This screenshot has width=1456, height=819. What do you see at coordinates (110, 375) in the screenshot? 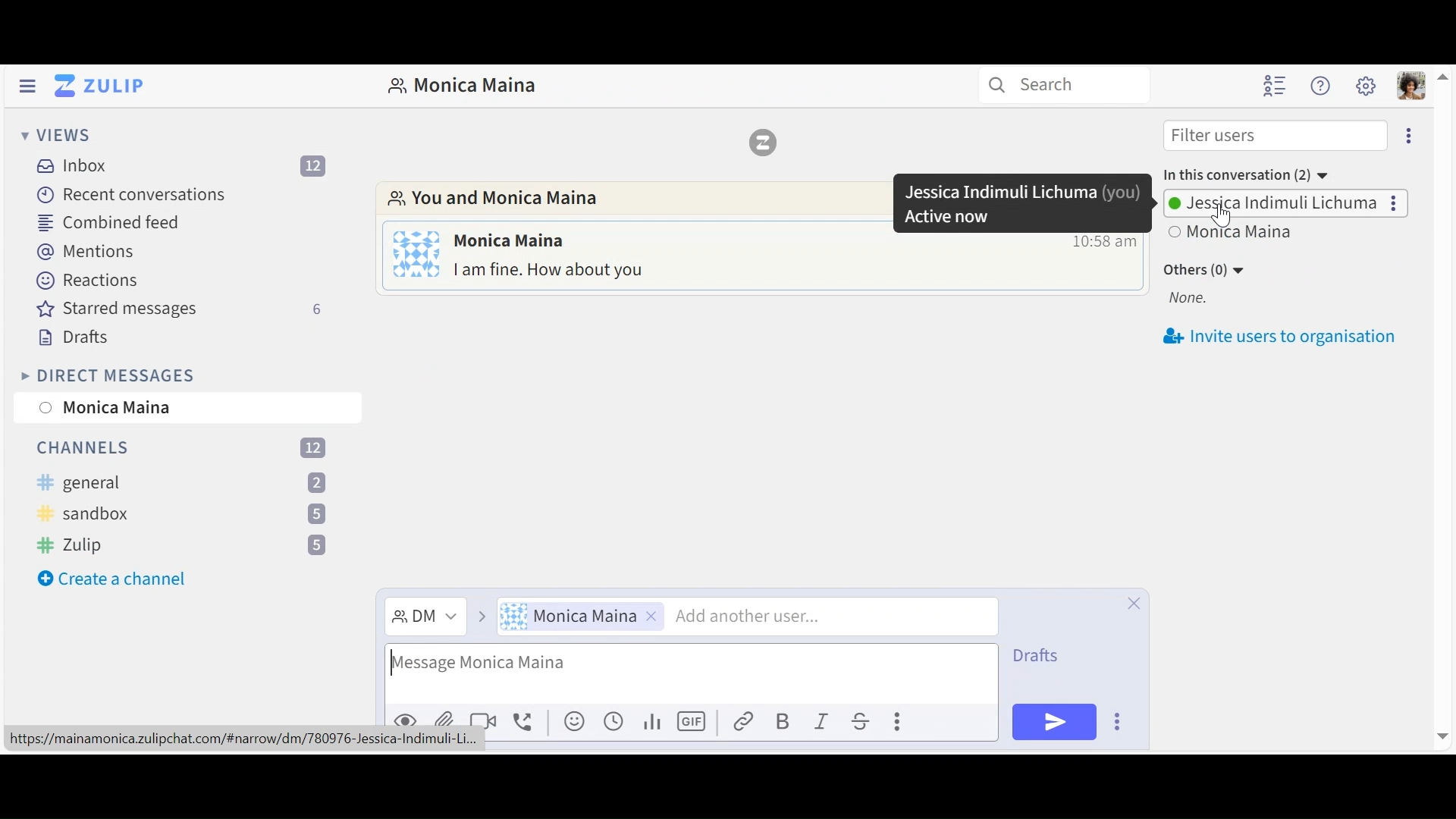
I see `Direct Messages` at bounding box center [110, 375].